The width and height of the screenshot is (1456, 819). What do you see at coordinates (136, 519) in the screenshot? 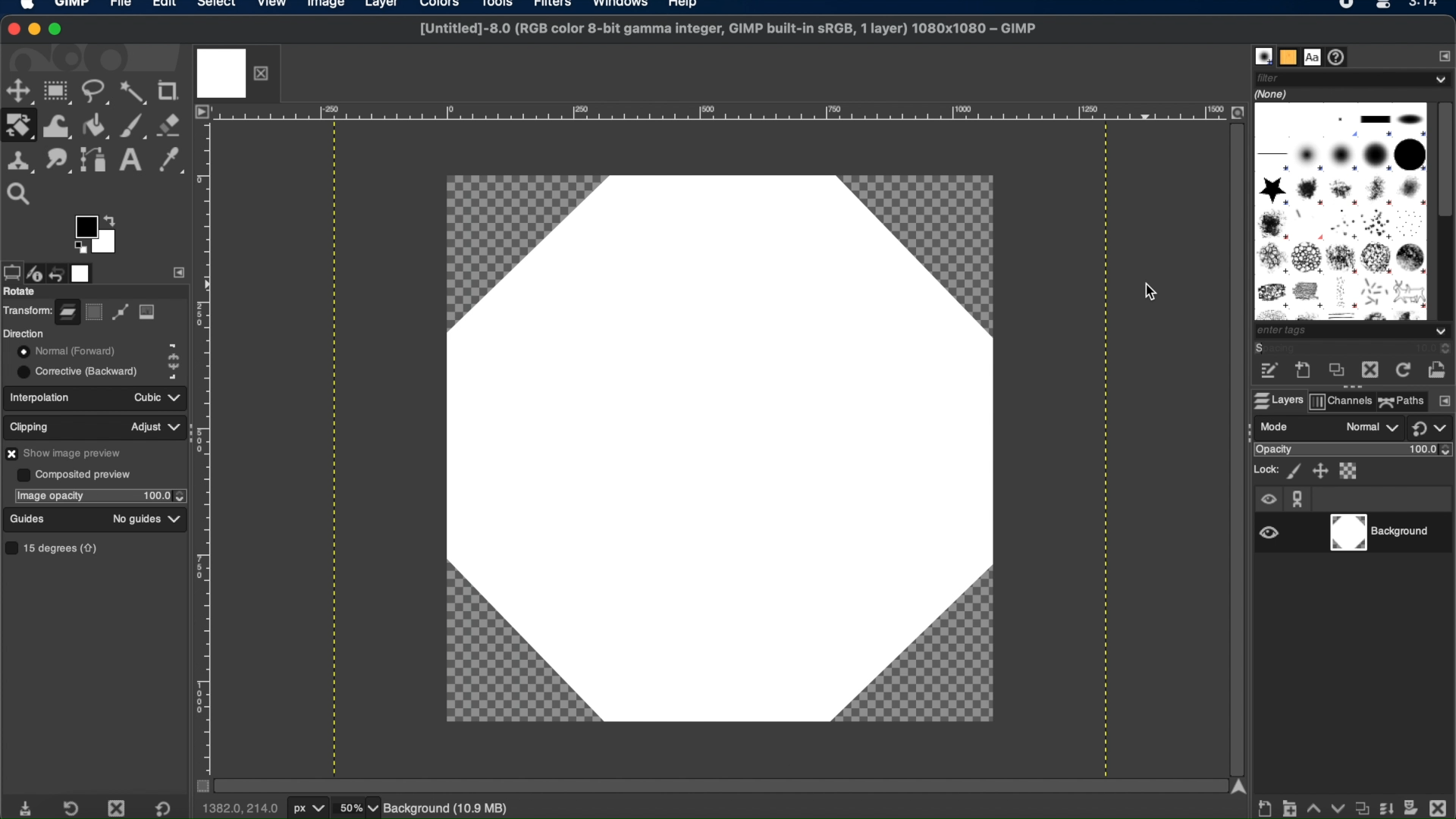
I see `no guides` at bounding box center [136, 519].